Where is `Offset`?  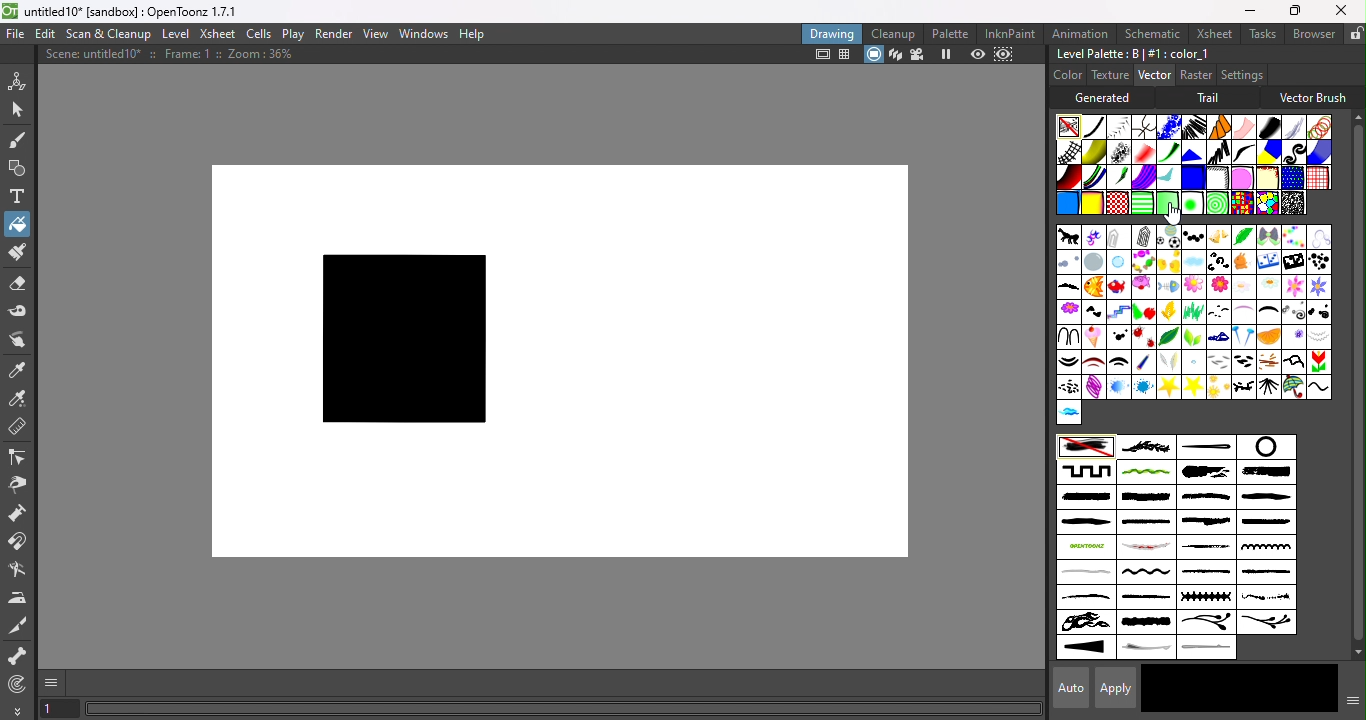 Offset is located at coordinates (1192, 178).